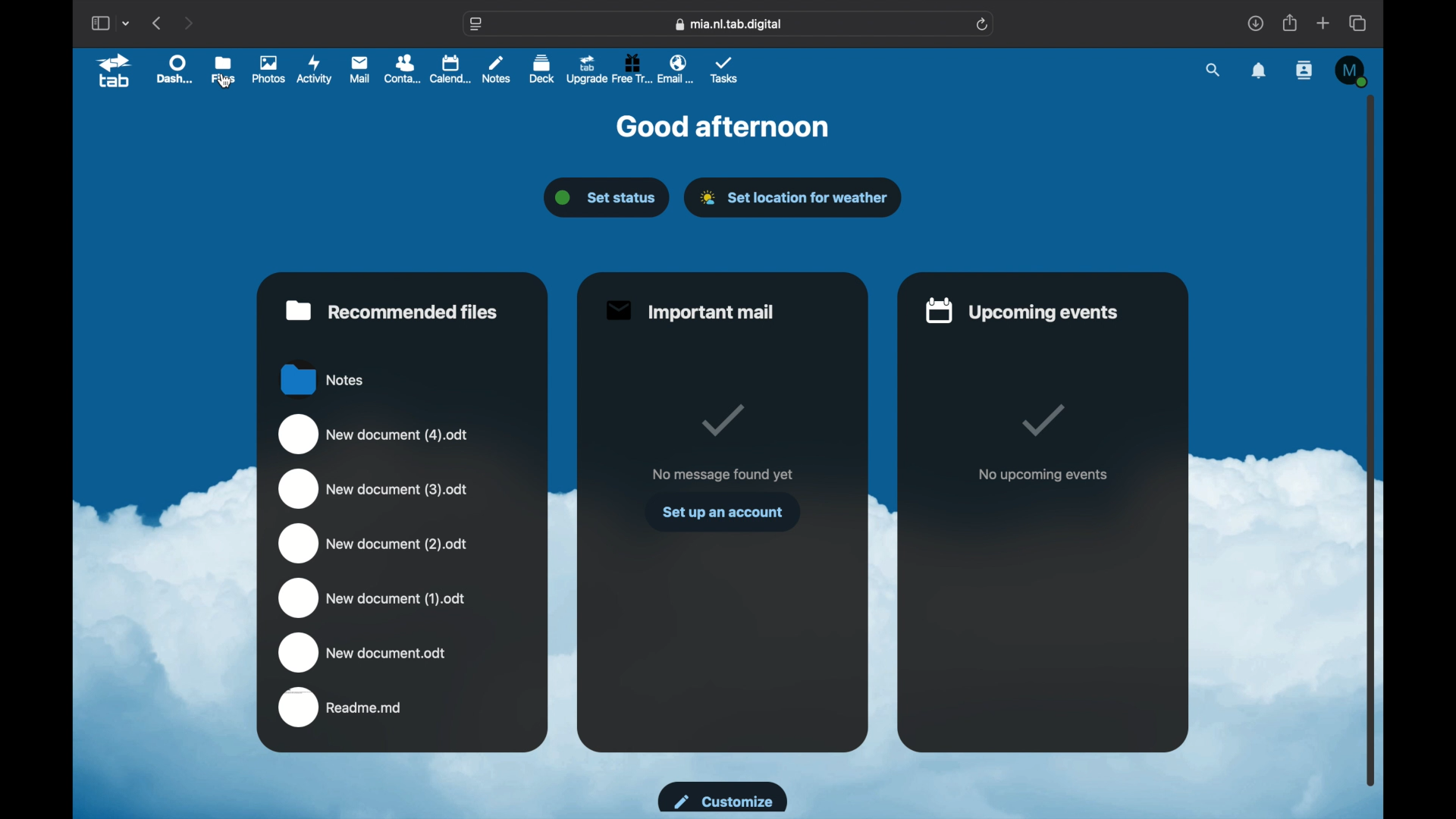 The image size is (1456, 819). What do you see at coordinates (725, 71) in the screenshot?
I see `tasks` at bounding box center [725, 71].